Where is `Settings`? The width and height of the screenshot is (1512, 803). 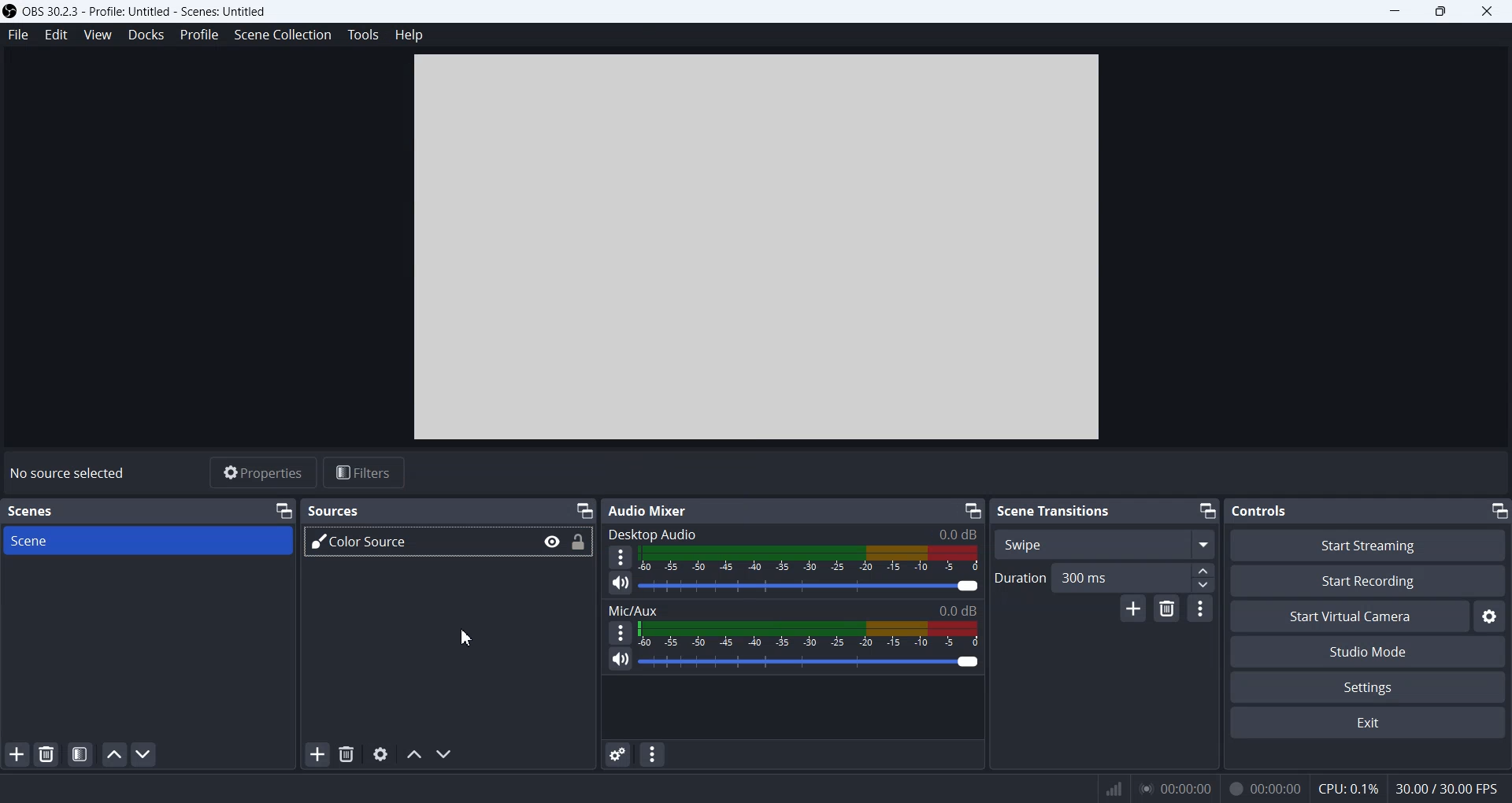 Settings is located at coordinates (1492, 616).